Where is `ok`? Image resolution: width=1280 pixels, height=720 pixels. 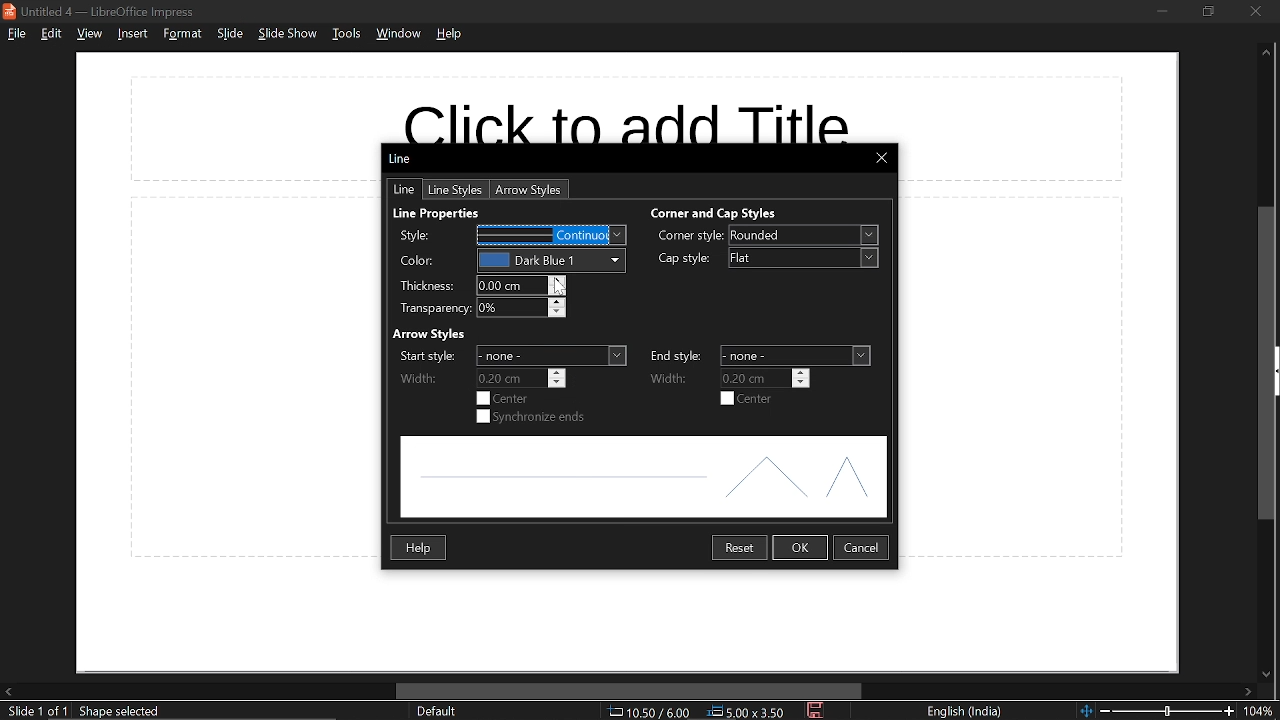 ok is located at coordinates (799, 547).